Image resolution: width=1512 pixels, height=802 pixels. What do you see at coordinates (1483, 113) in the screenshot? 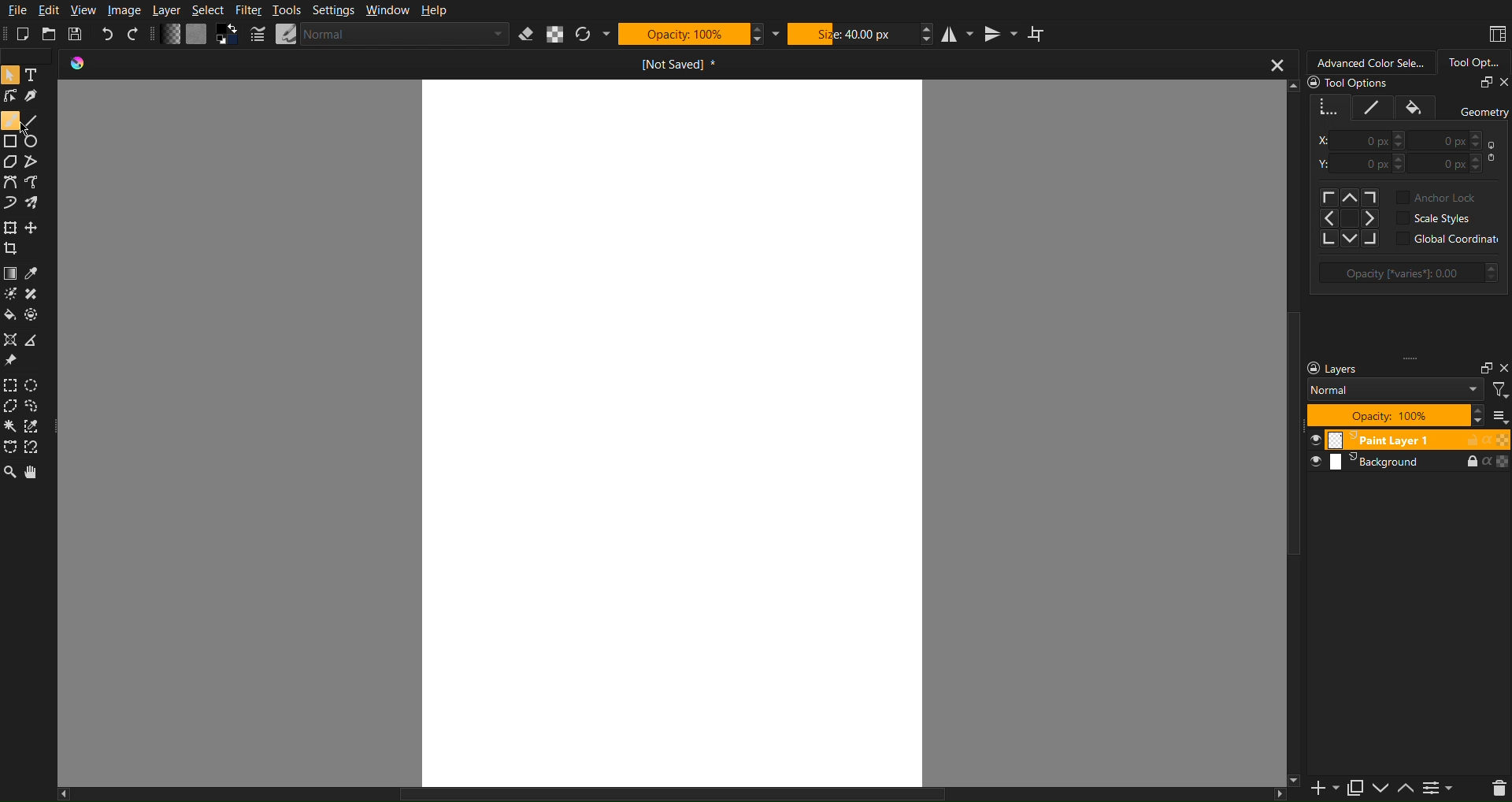
I see `Geometry` at bounding box center [1483, 113].